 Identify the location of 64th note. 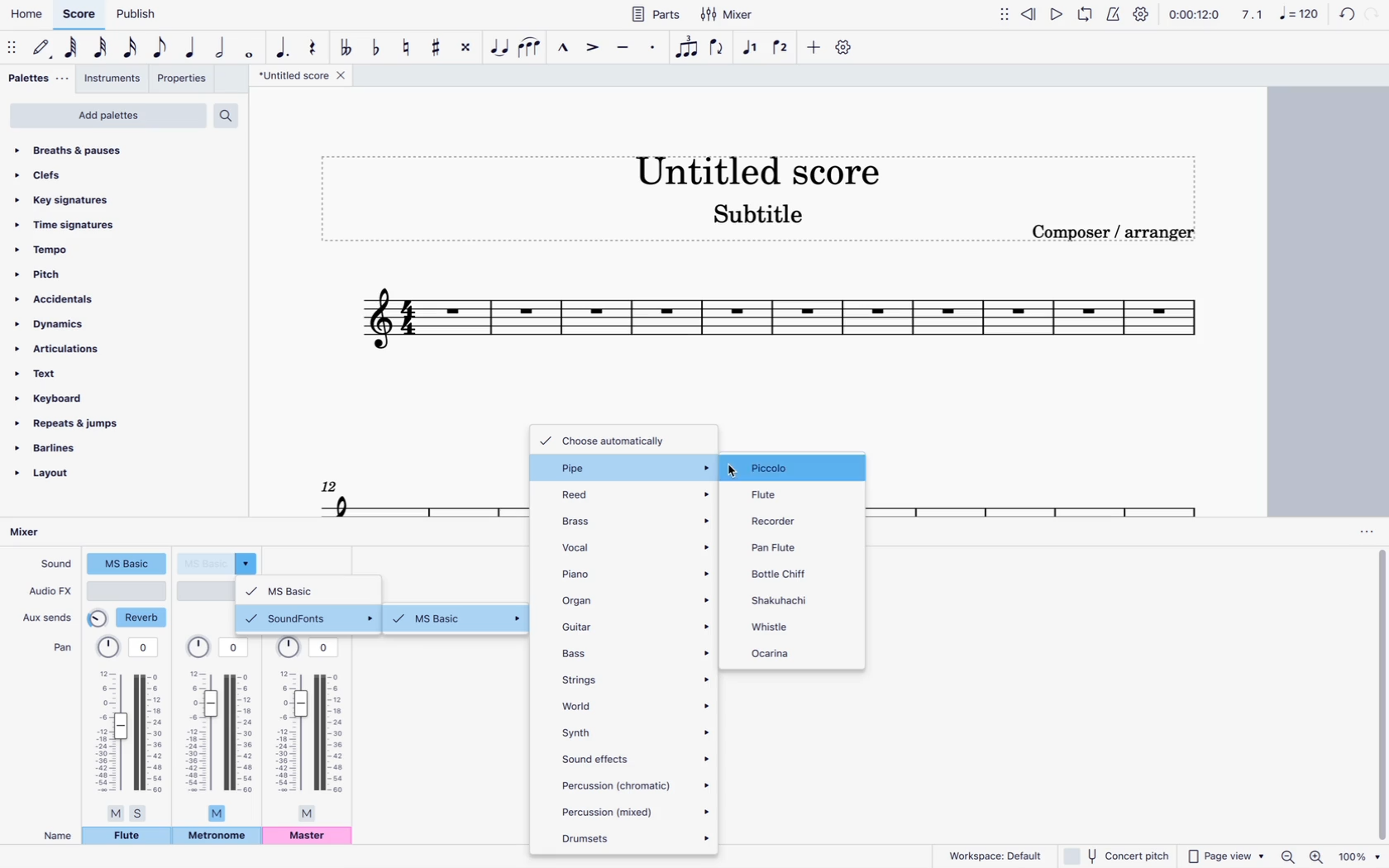
(71, 50).